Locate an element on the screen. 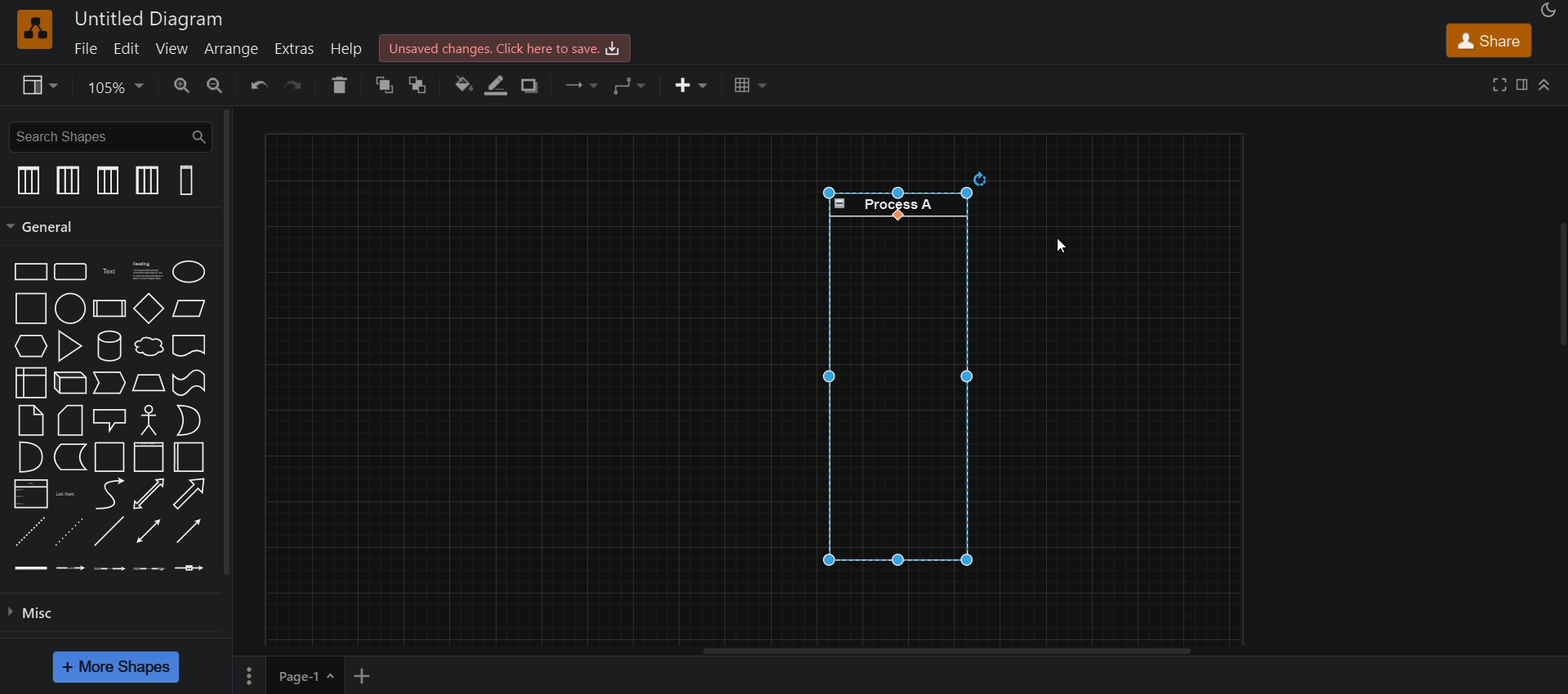  add new page is located at coordinates (373, 674).